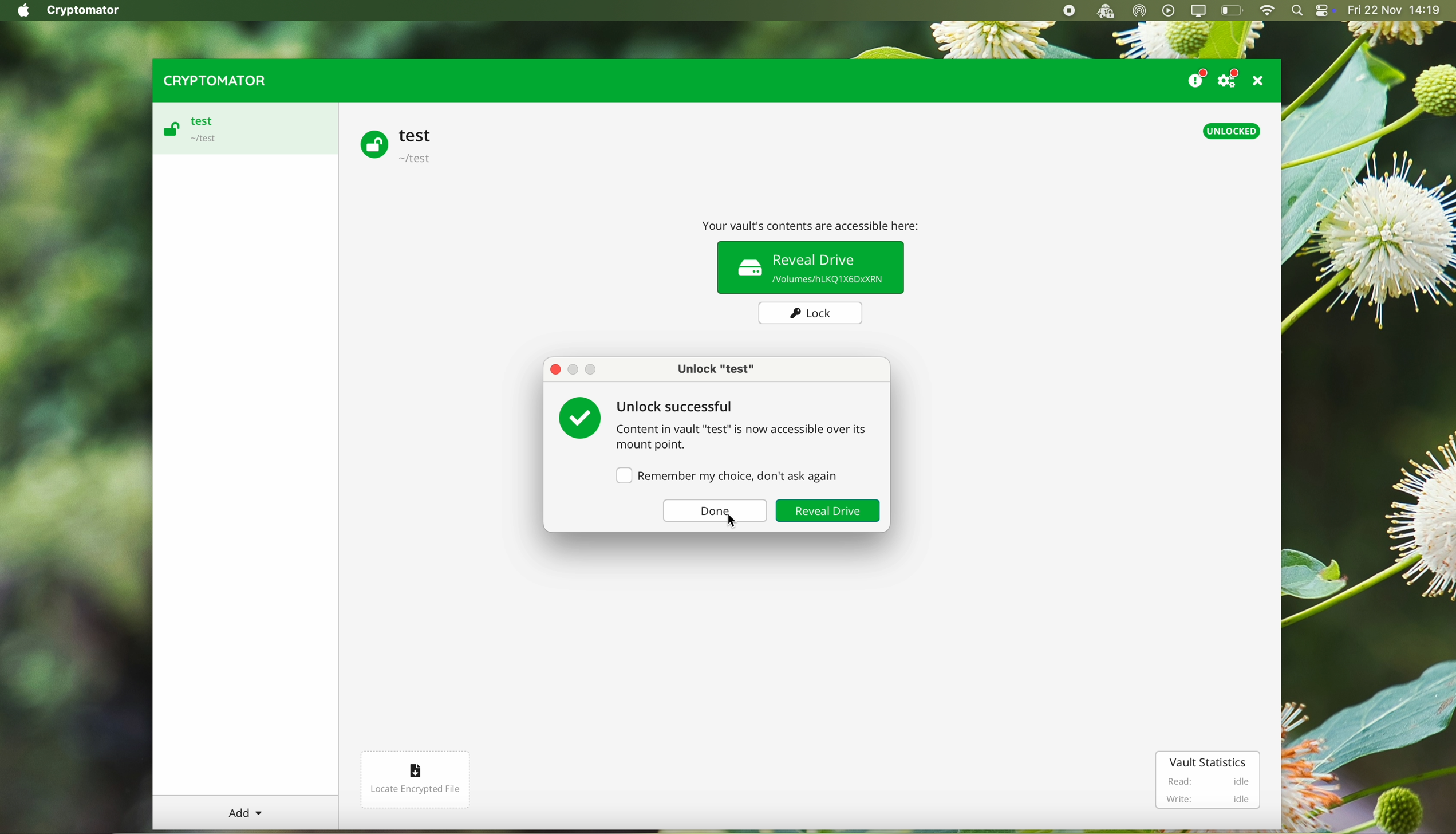 The width and height of the screenshot is (1456, 834). What do you see at coordinates (743, 440) in the screenshot?
I see `Content in vault "test" is now accessible over its mount point` at bounding box center [743, 440].